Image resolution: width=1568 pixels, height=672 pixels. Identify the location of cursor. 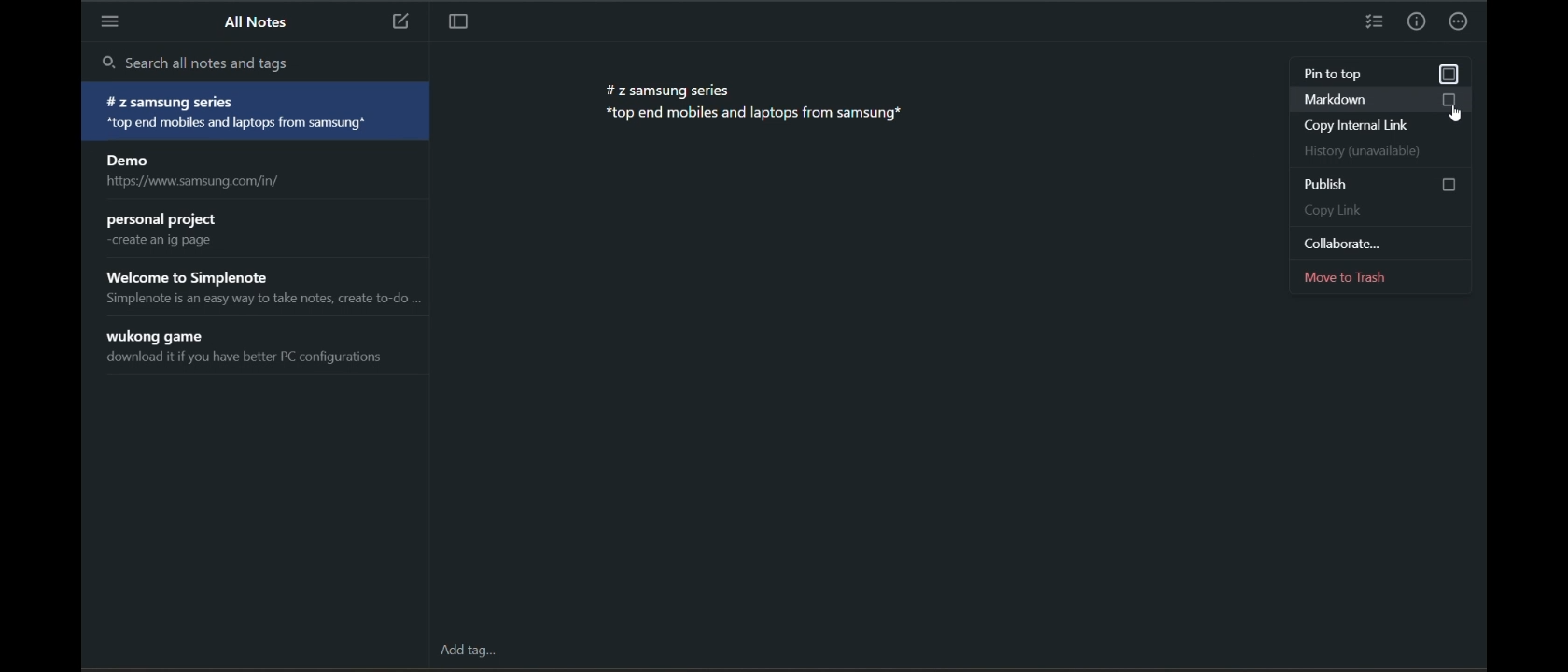
(1456, 115).